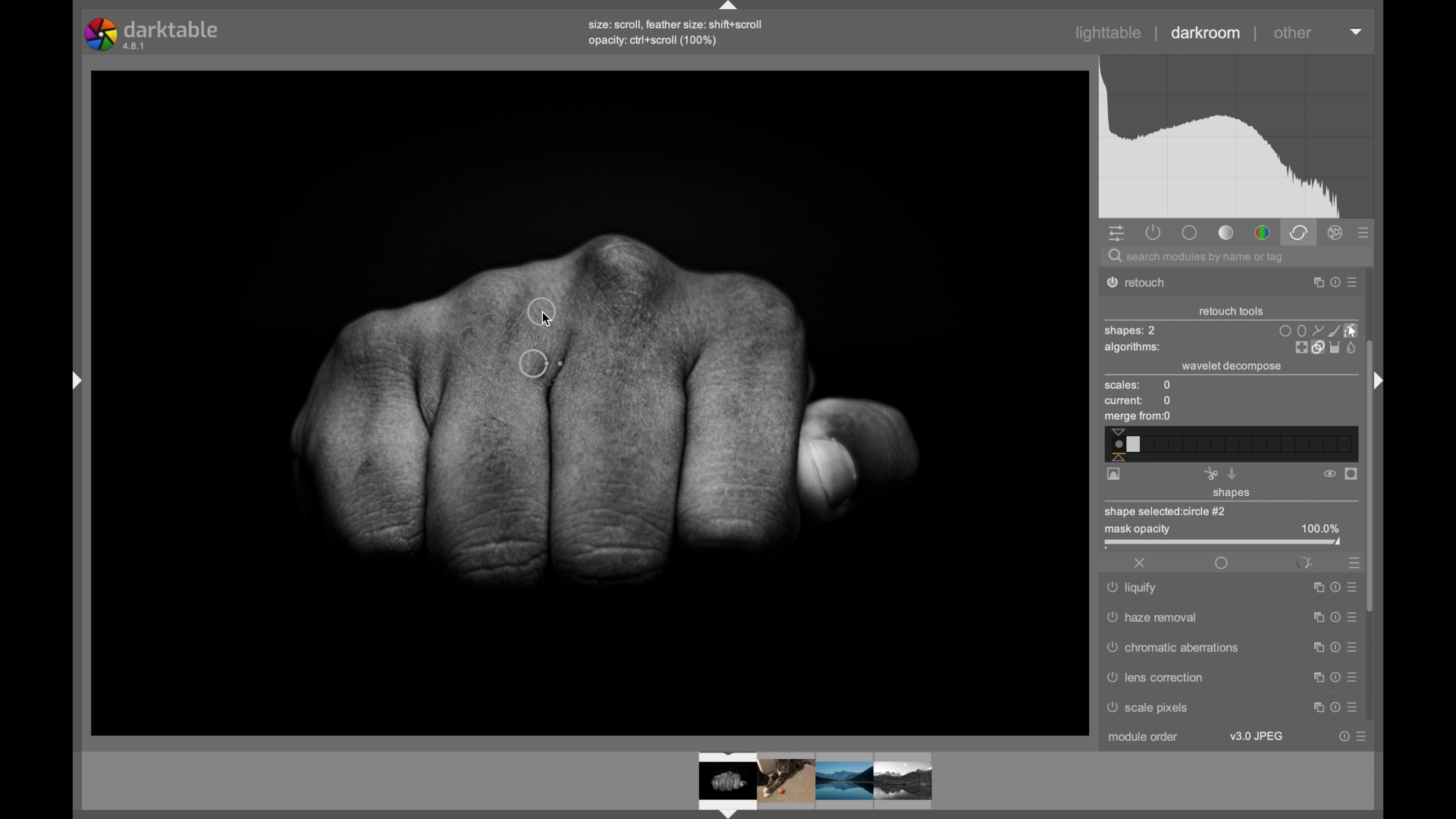  What do you see at coordinates (1229, 444) in the screenshot?
I see `merge slider` at bounding box center [1229, 444].